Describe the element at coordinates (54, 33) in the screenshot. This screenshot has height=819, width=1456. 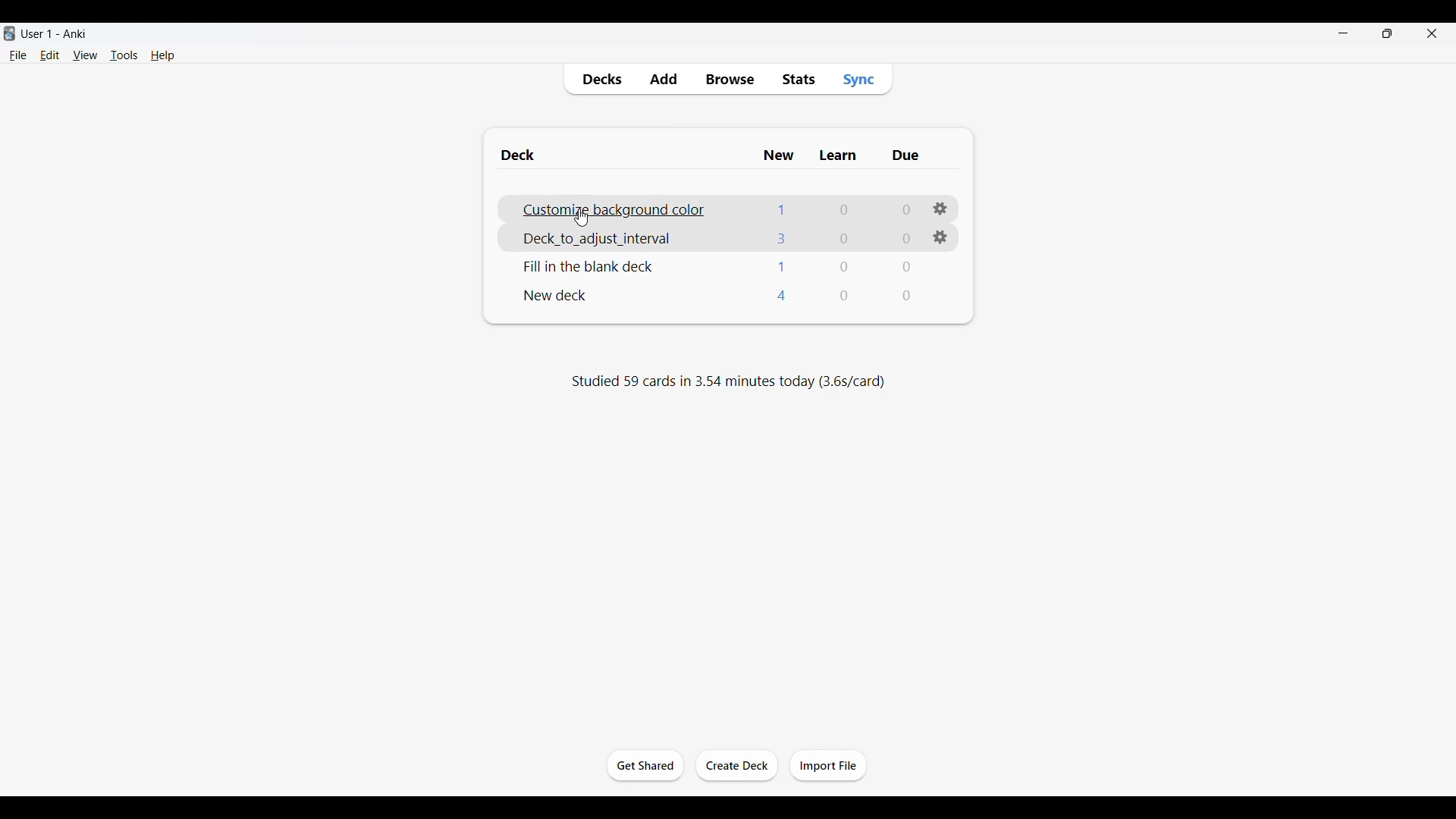
I see `User and software name` at that location.